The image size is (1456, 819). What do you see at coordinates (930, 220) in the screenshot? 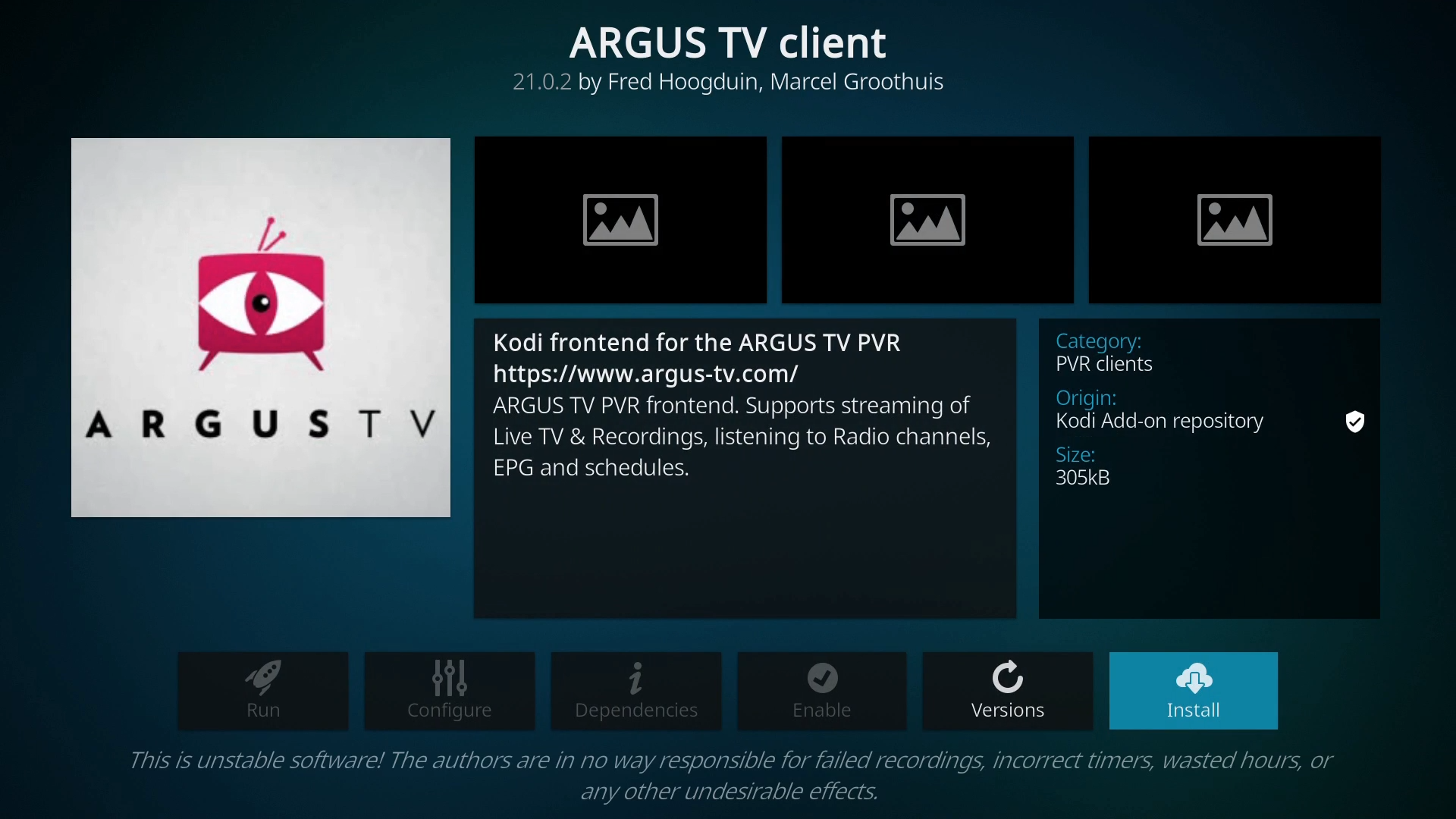
I see `insert image` at bounding box center [930, 220].